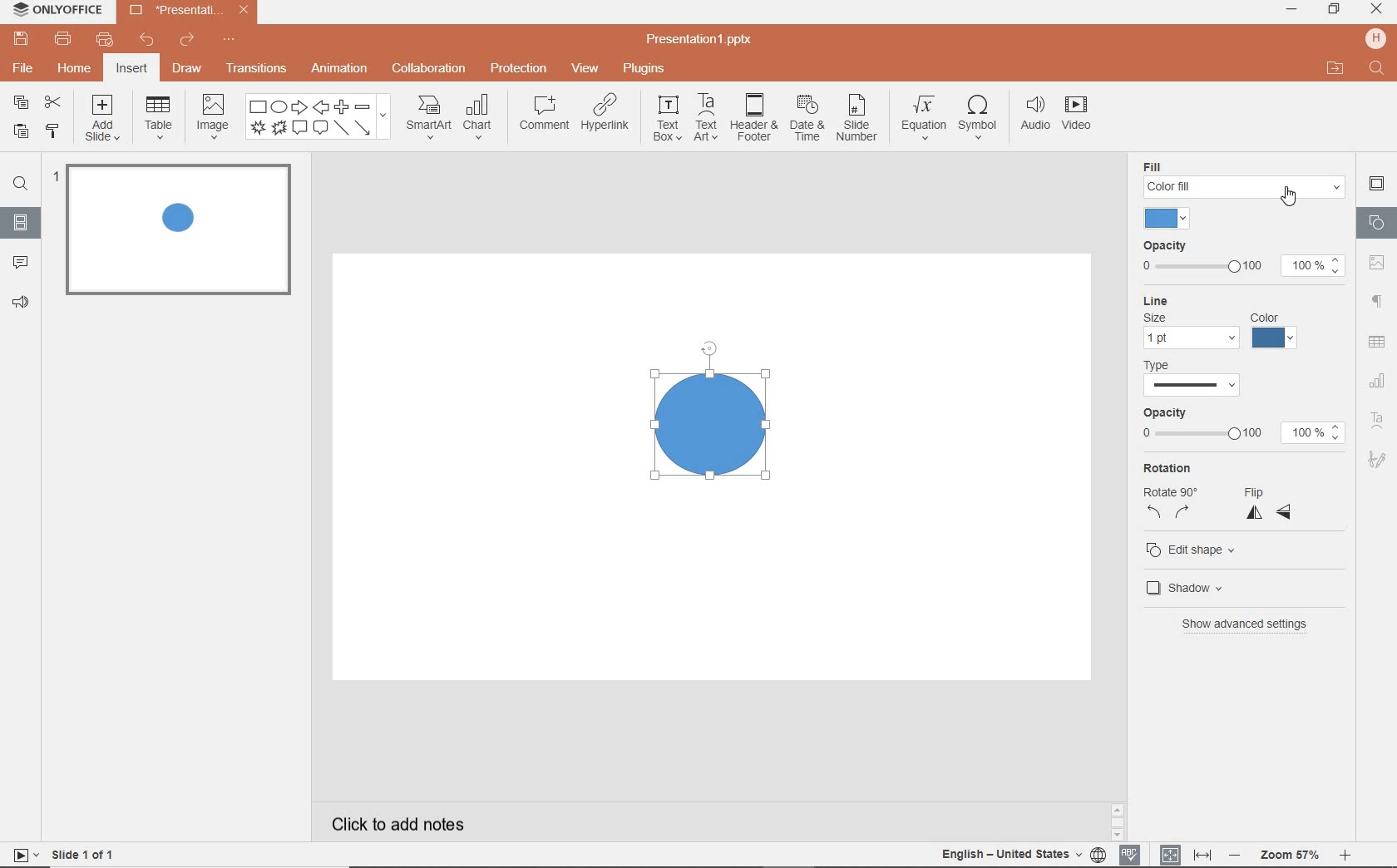 Image resolution: width=1397 pixels, height=868 pixels. What do you see at coordinates (1278, 332) in the screenshot?
I see `color` at bounding box center [1278, 332].